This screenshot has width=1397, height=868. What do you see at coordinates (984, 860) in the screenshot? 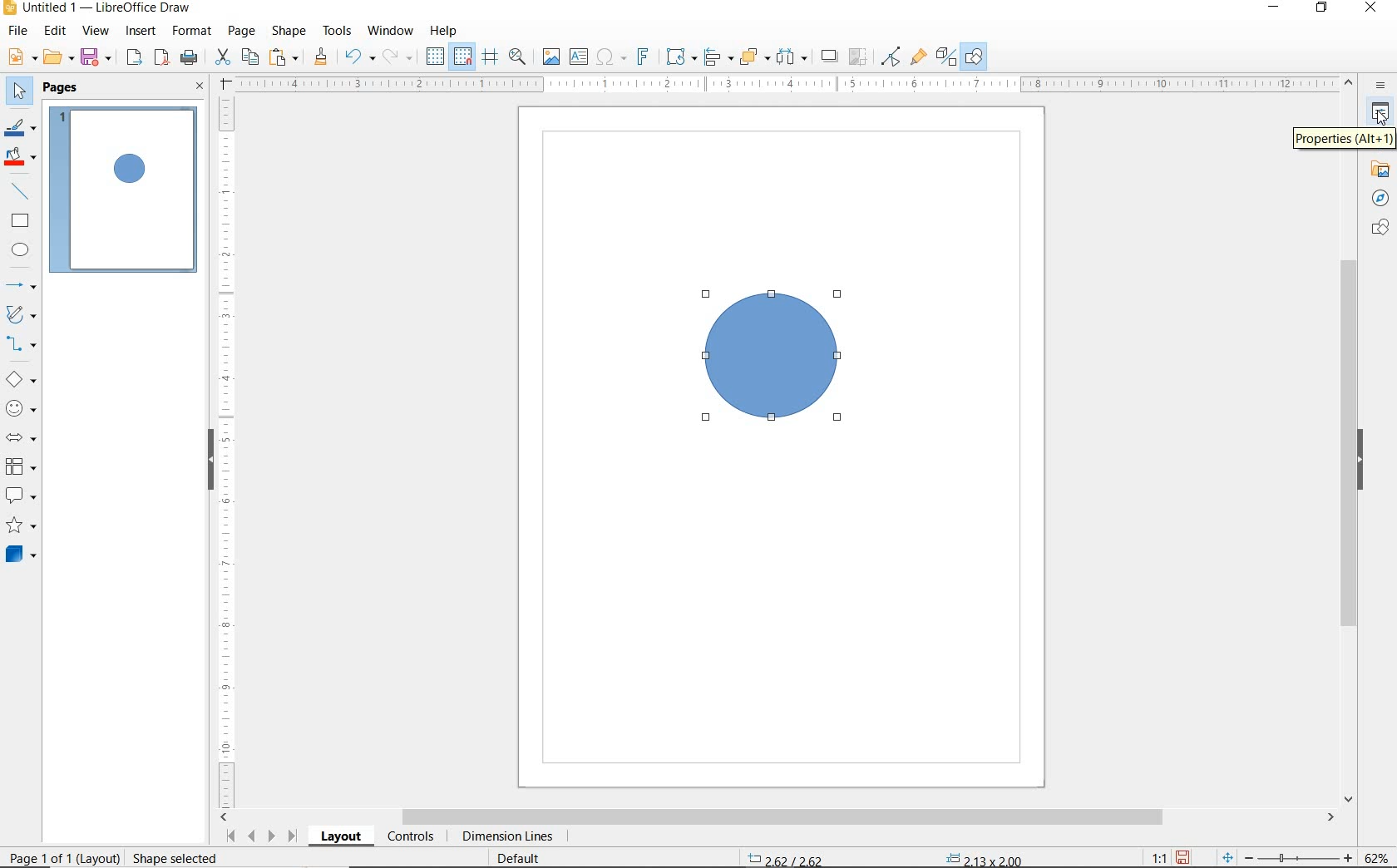
I see `2.13 x 2.00` at bounding box center [984, 860].